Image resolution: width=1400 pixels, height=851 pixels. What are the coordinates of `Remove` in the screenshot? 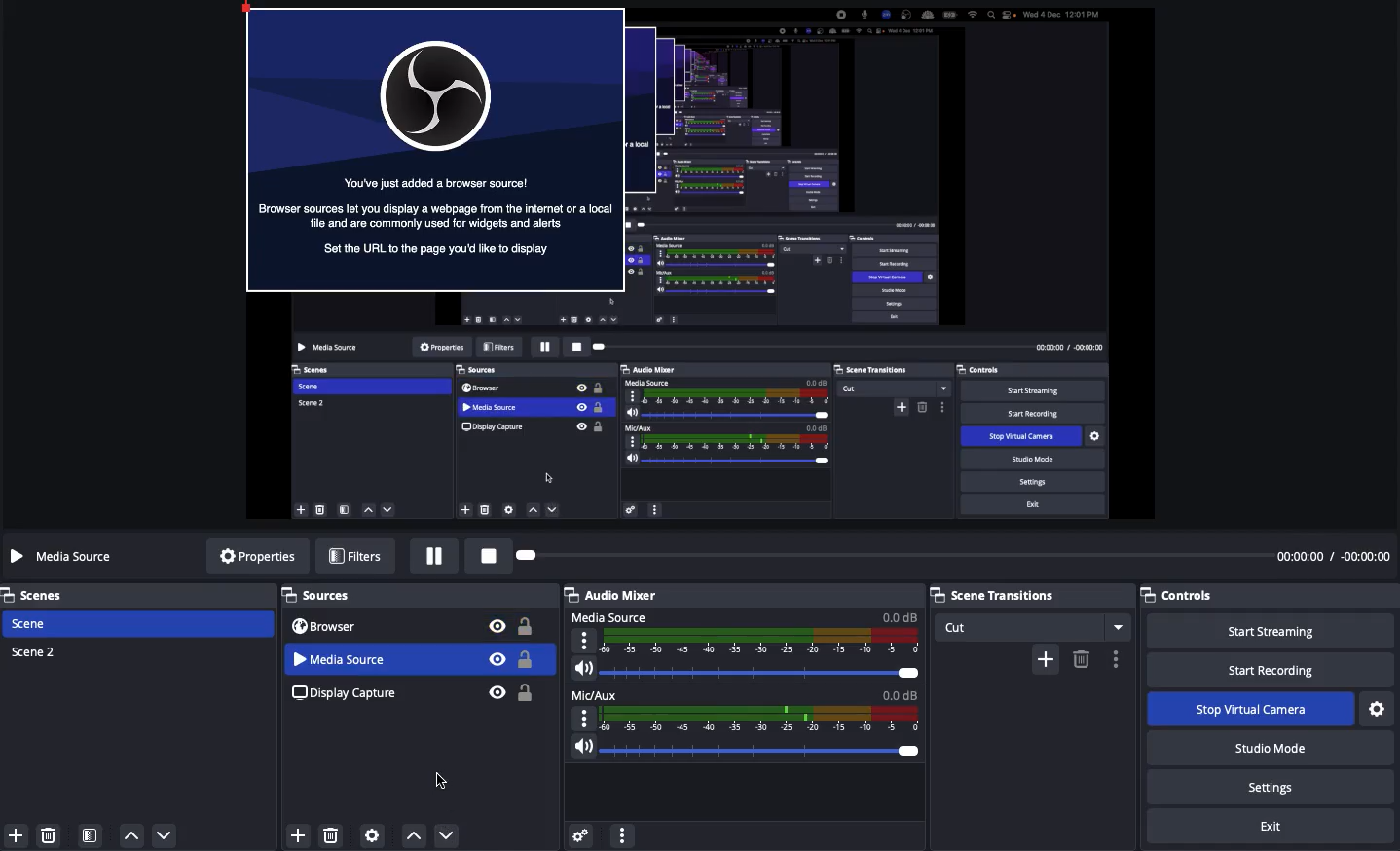 It's located at (1082, 660).